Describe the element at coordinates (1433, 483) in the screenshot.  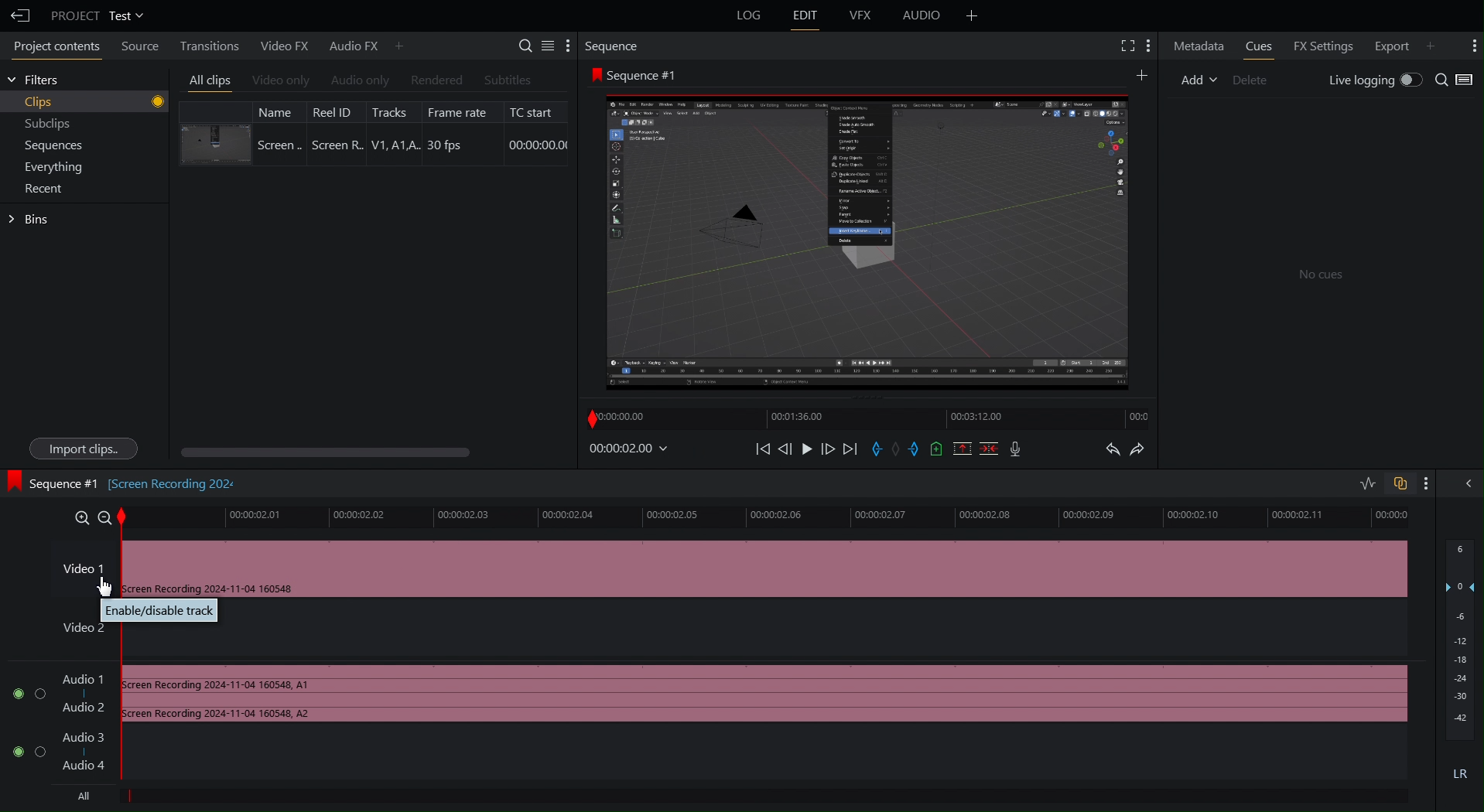
I see `More` at that location.